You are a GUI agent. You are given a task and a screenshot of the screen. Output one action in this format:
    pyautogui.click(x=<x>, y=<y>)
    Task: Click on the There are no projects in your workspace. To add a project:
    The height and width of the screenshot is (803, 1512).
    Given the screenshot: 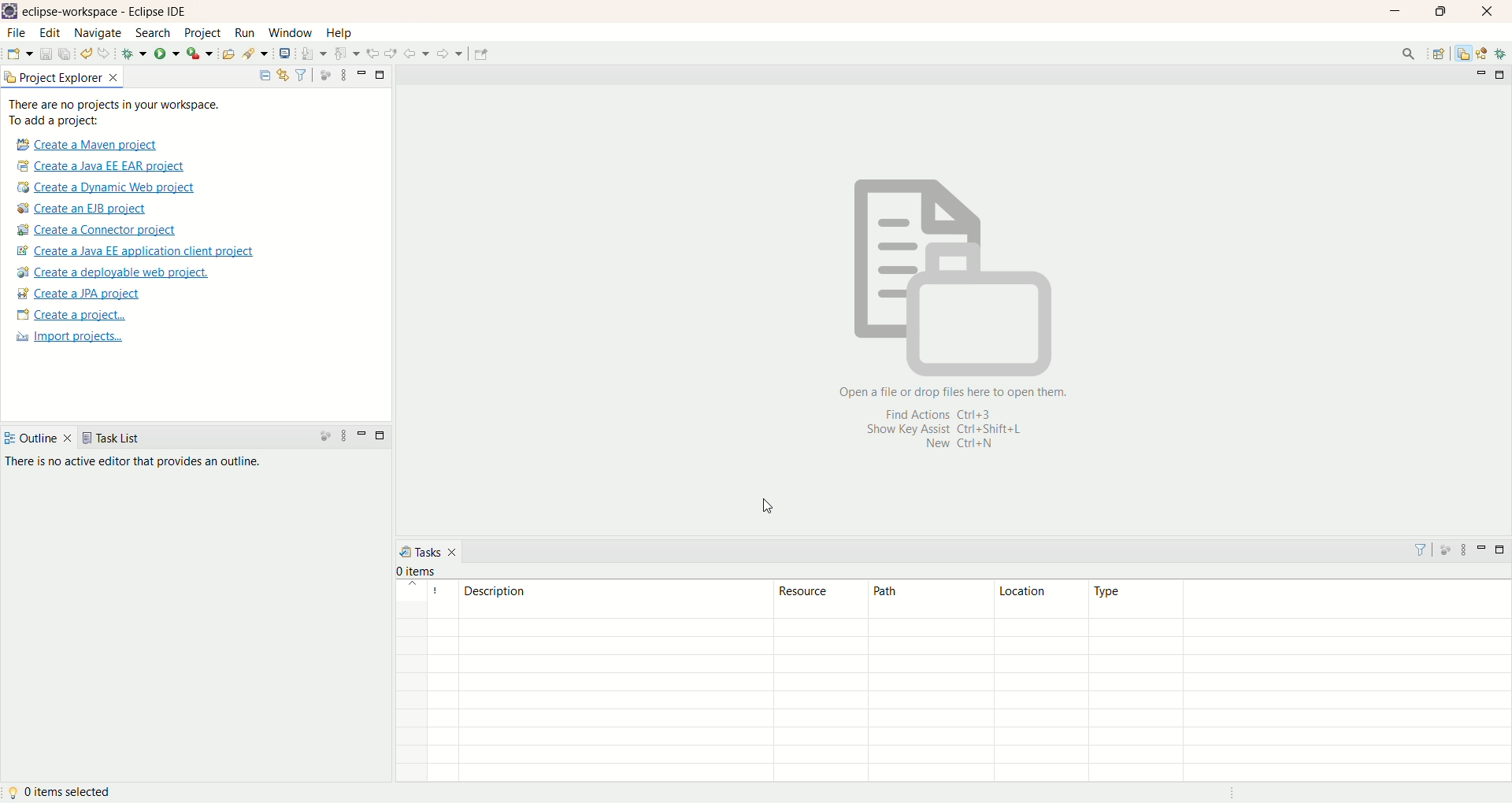 What is the action you would take?
    pyautogui.click(x=121, y=111)
    